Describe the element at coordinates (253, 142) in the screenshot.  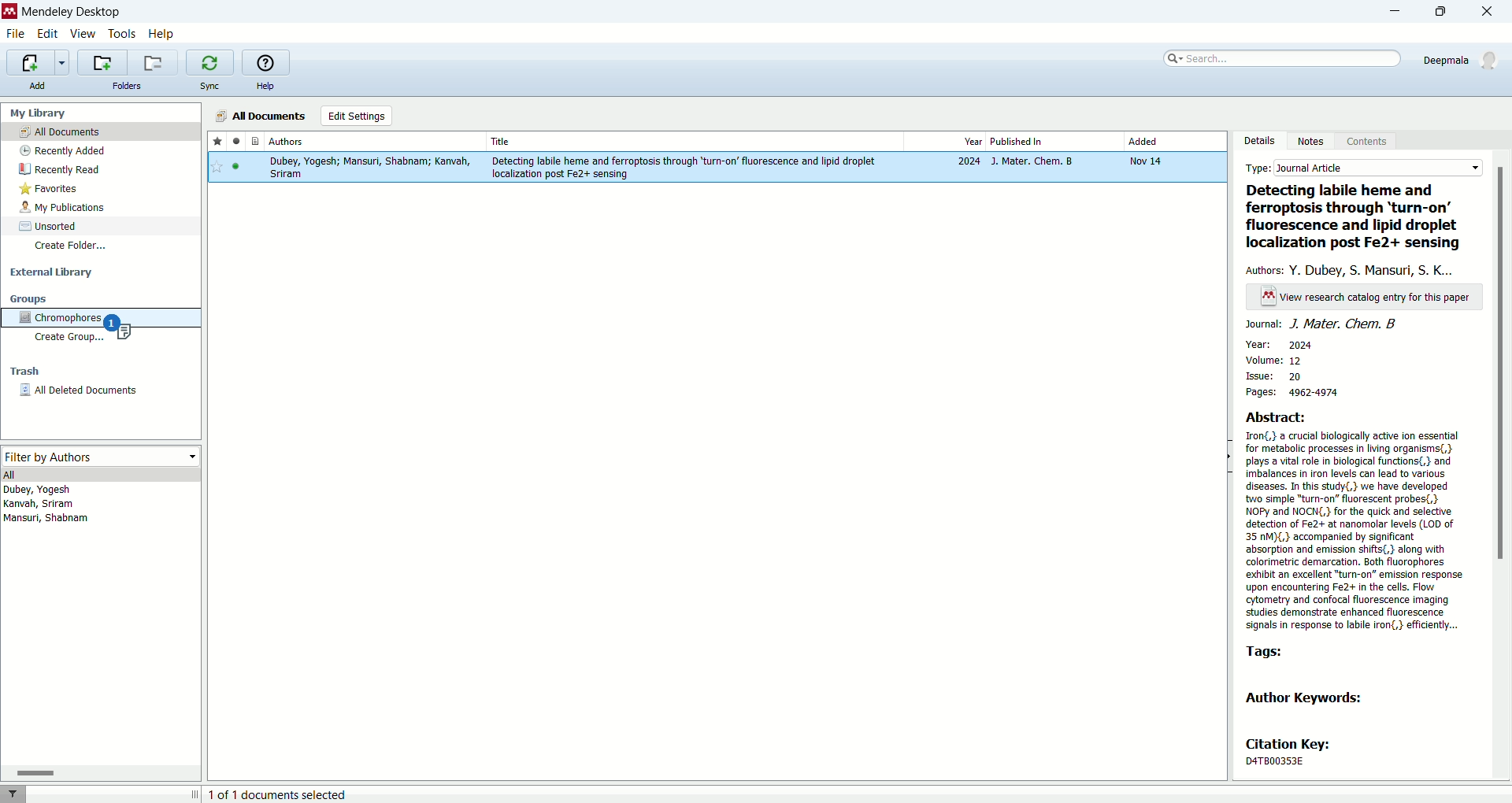
I see `documents` at that location.